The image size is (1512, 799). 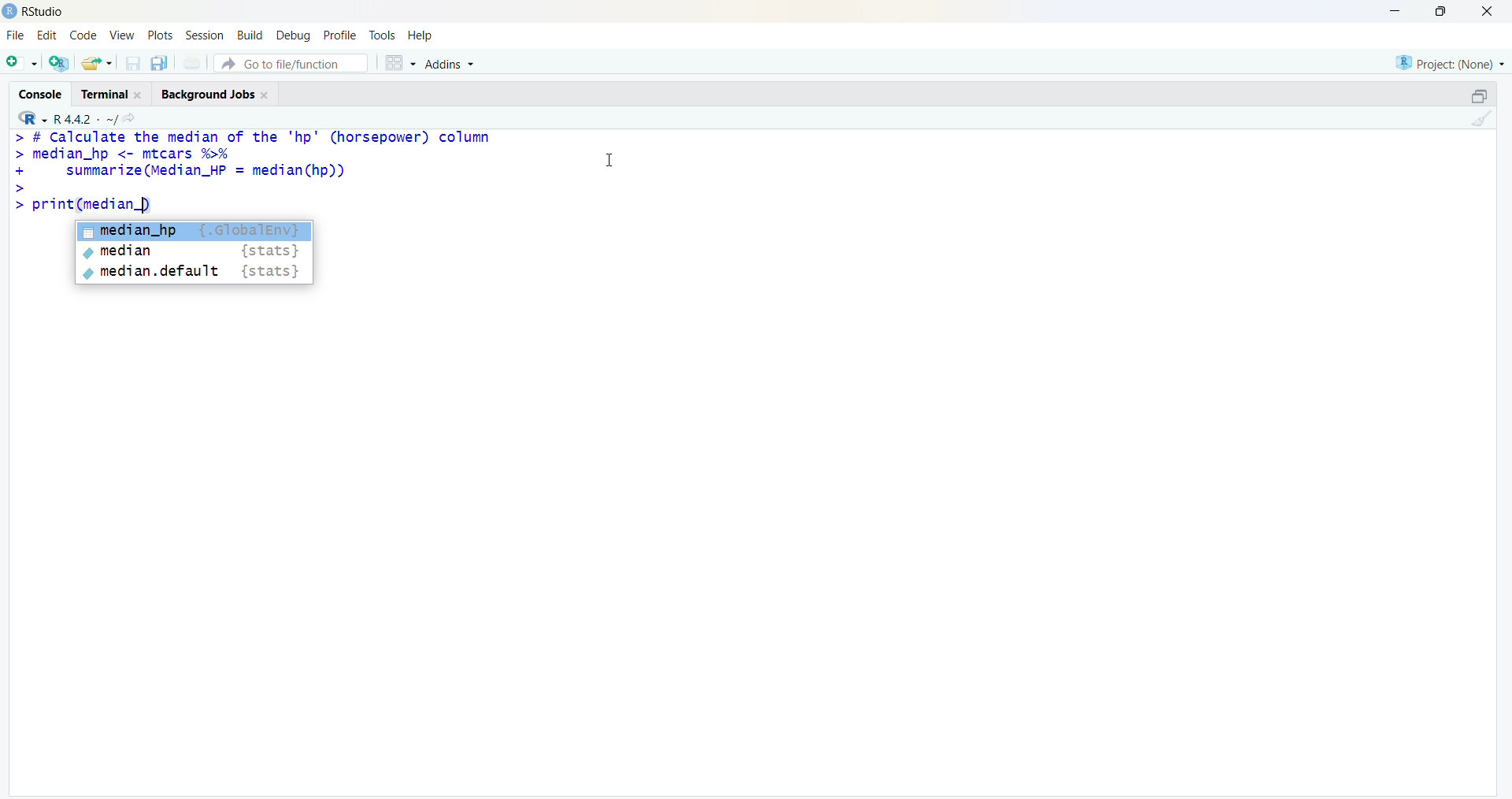 I want to click on Project: (None), so click(x=1450, y=63).